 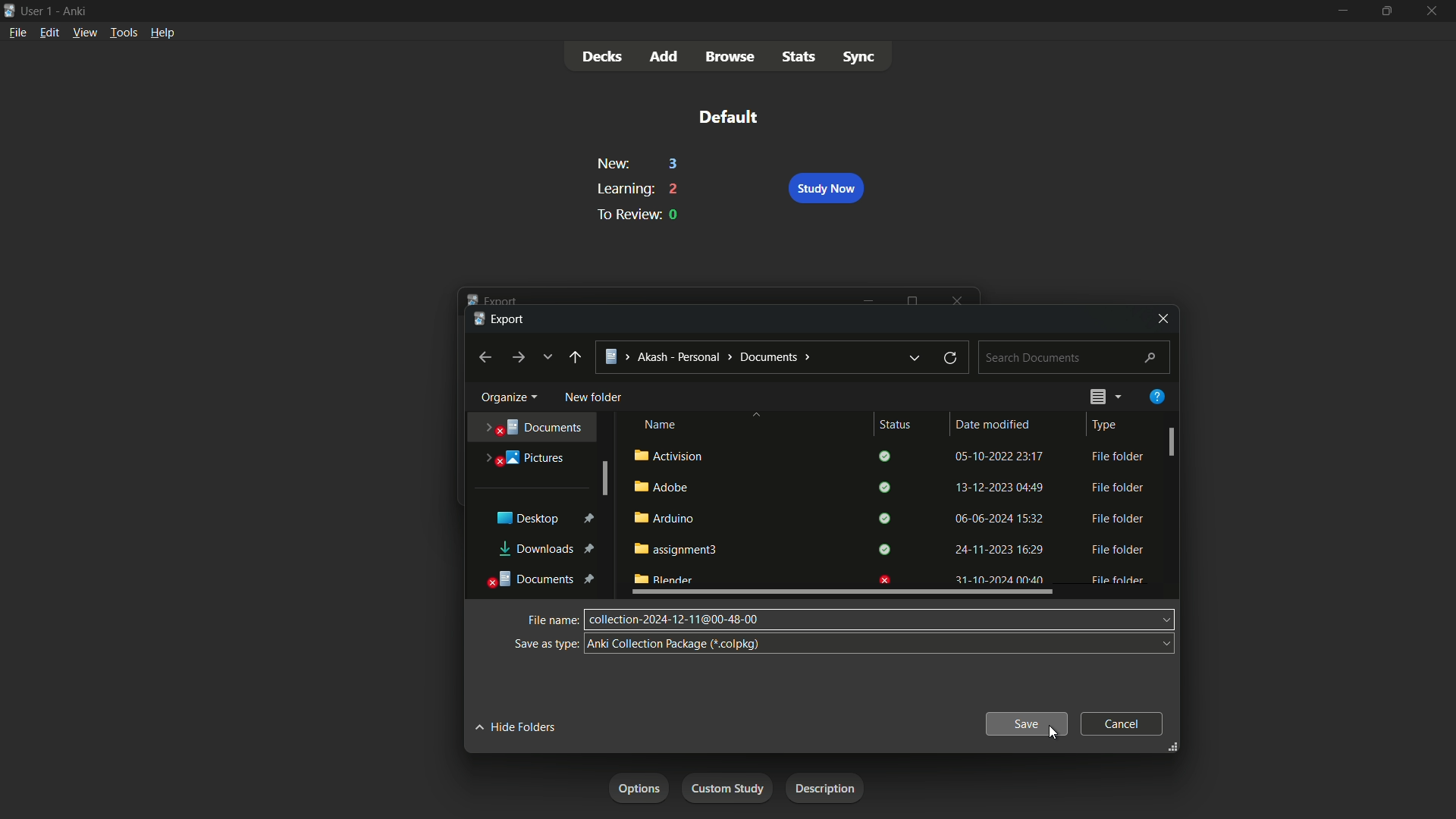 I want to click on 3, so click(x=674, y=165).